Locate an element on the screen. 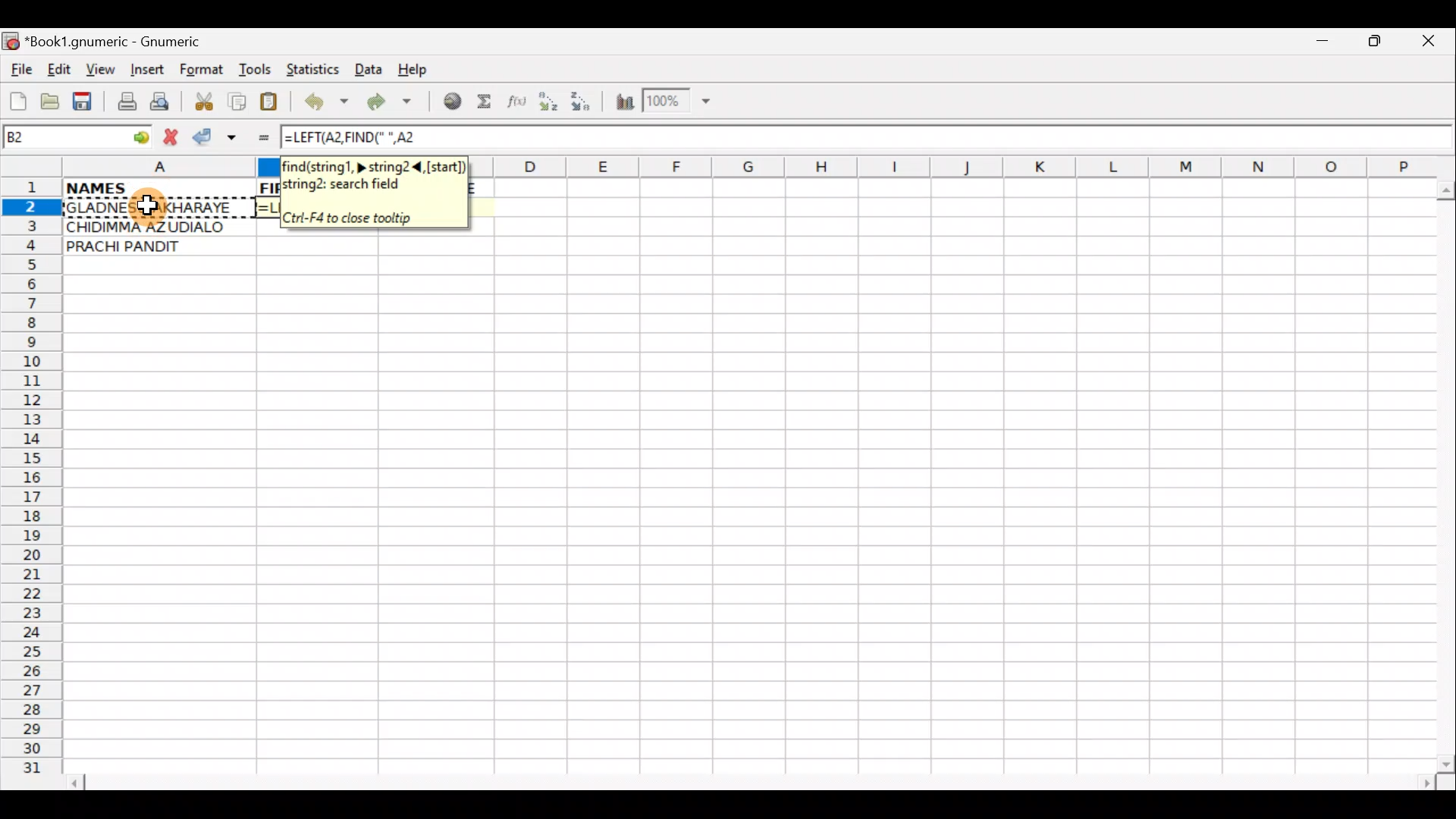 The image size is (1456, 819). Undo last action is located at coordinates (328, 104).